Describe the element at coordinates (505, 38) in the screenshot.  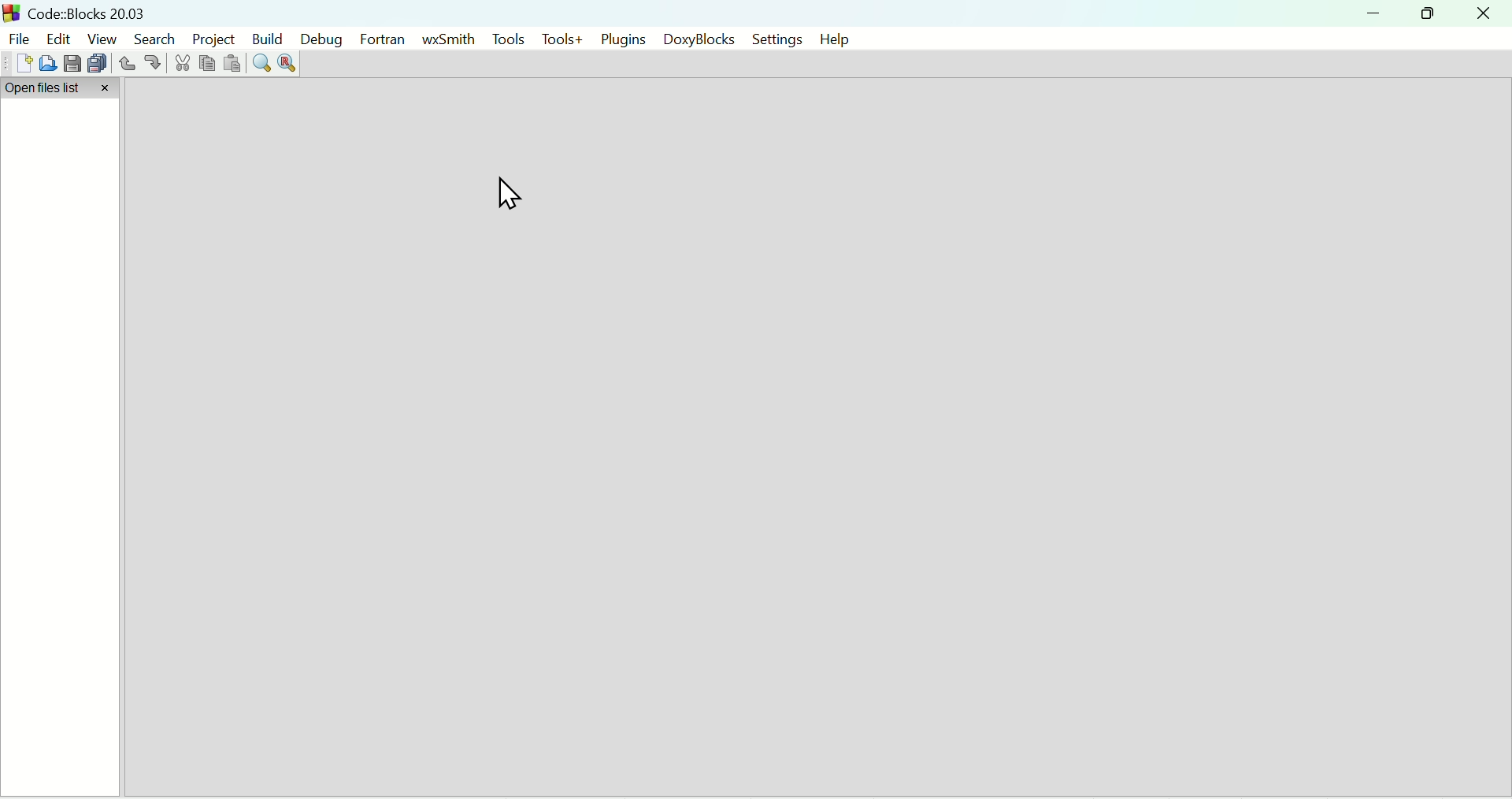
I see `Tools` at that location.